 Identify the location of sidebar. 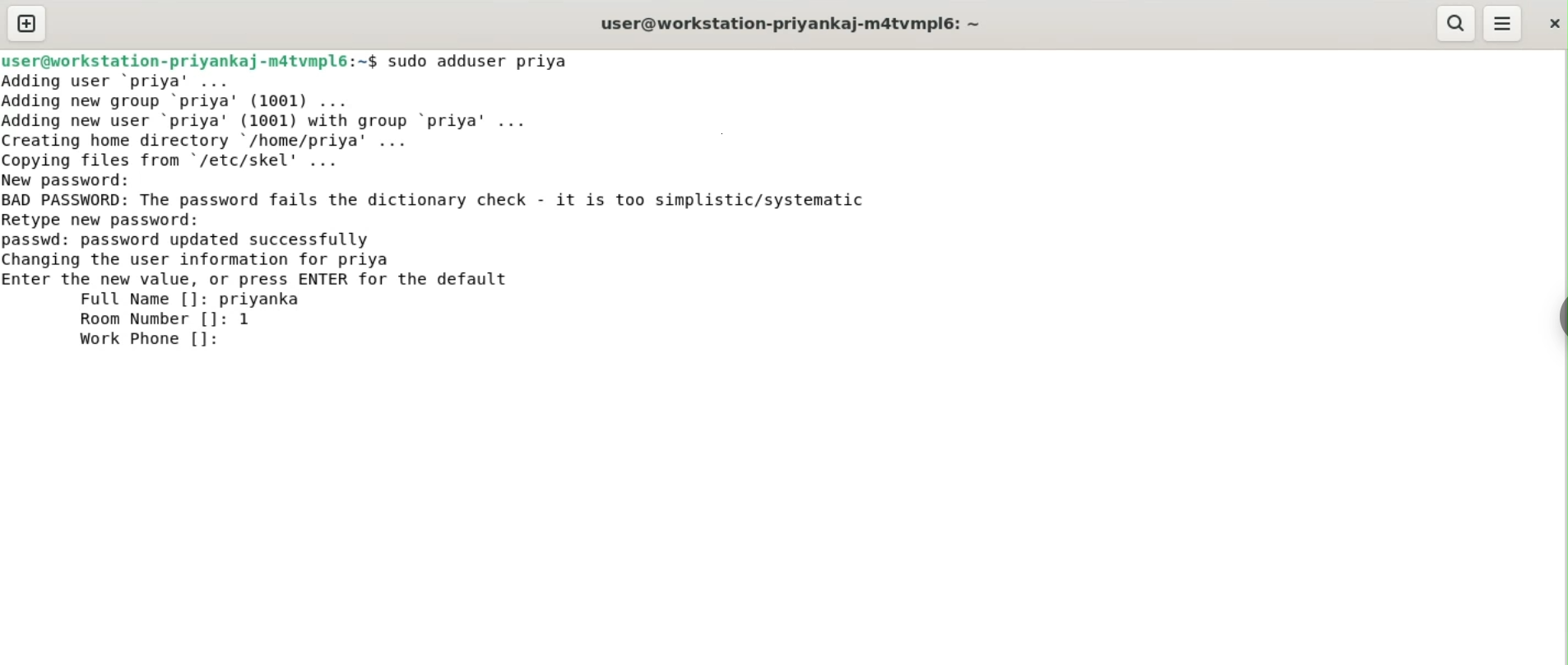
(1560, 318).